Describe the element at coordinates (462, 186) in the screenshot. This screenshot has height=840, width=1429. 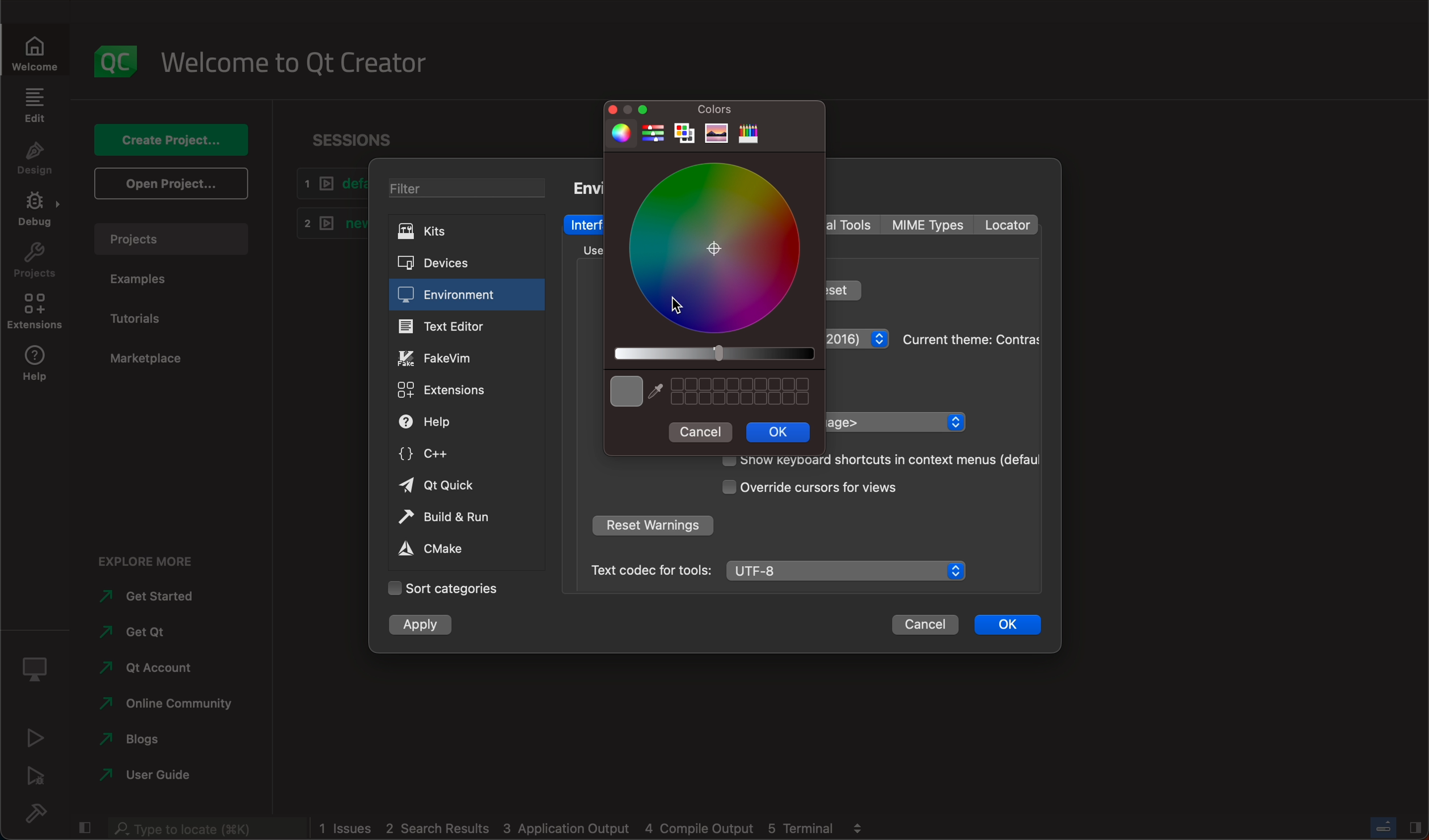
I see `filter` at that location.